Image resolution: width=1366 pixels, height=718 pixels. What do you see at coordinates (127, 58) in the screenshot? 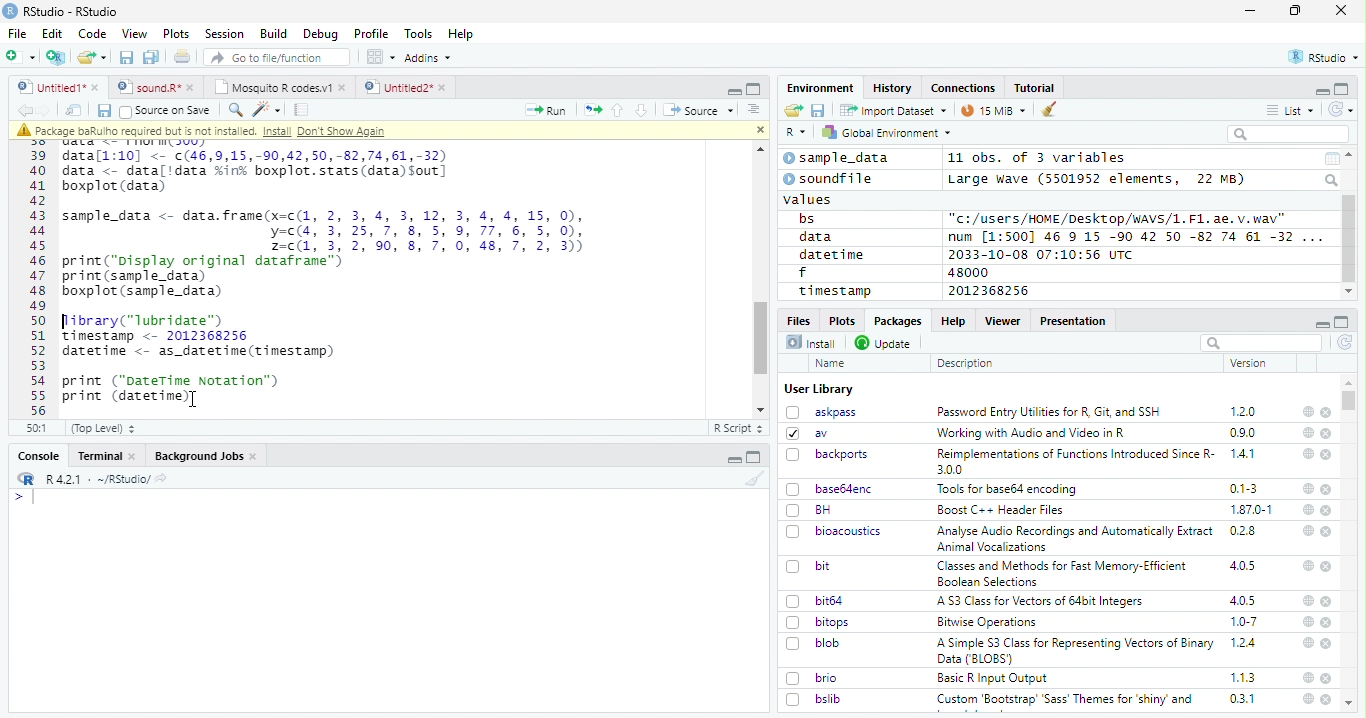
I see `Save the current document` at bounding box center [127, 58].